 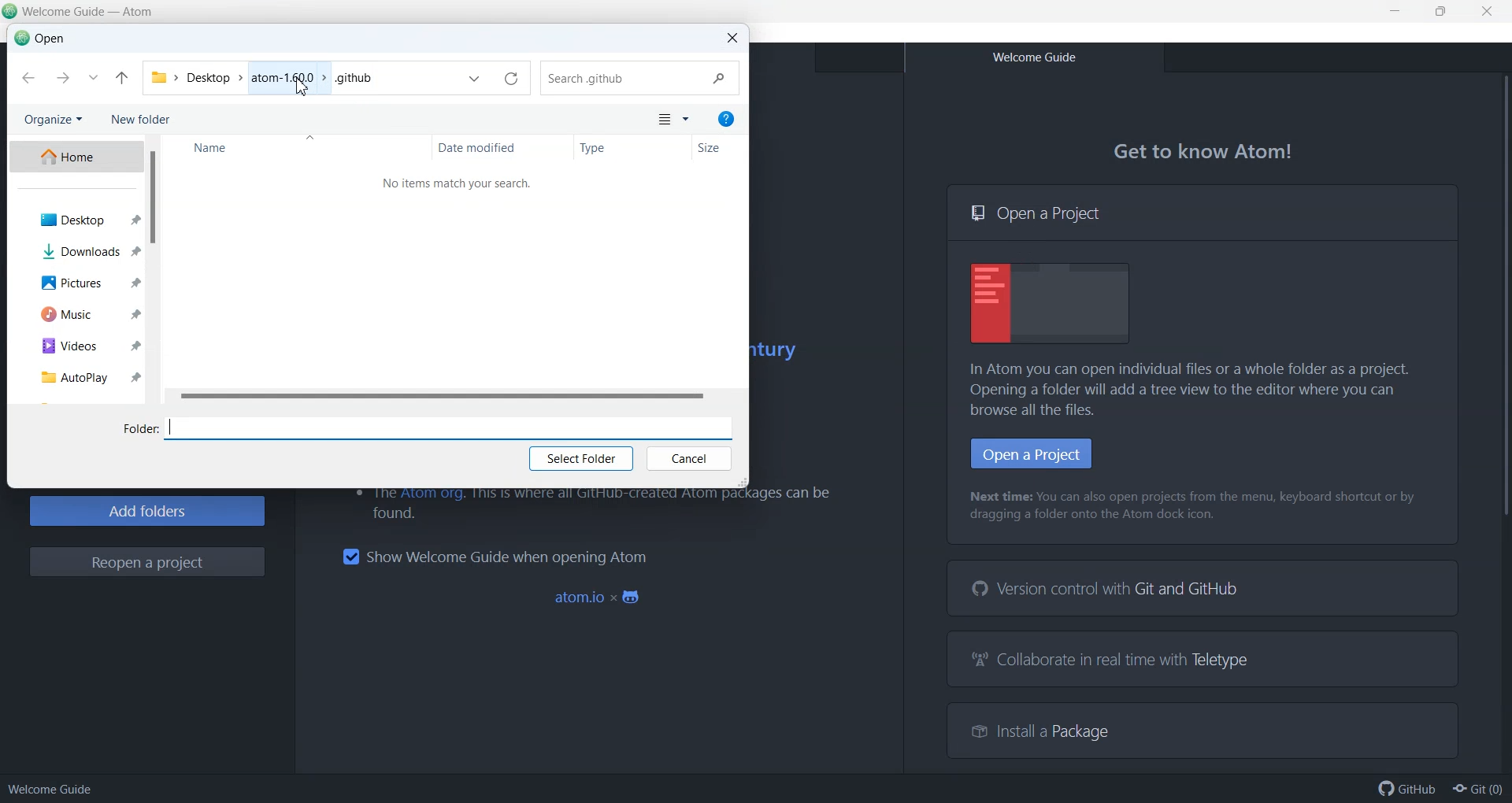 What do you see at coordinates (717, 149) in the screenshot?
I see `Size` at bounding box center [717, 149].